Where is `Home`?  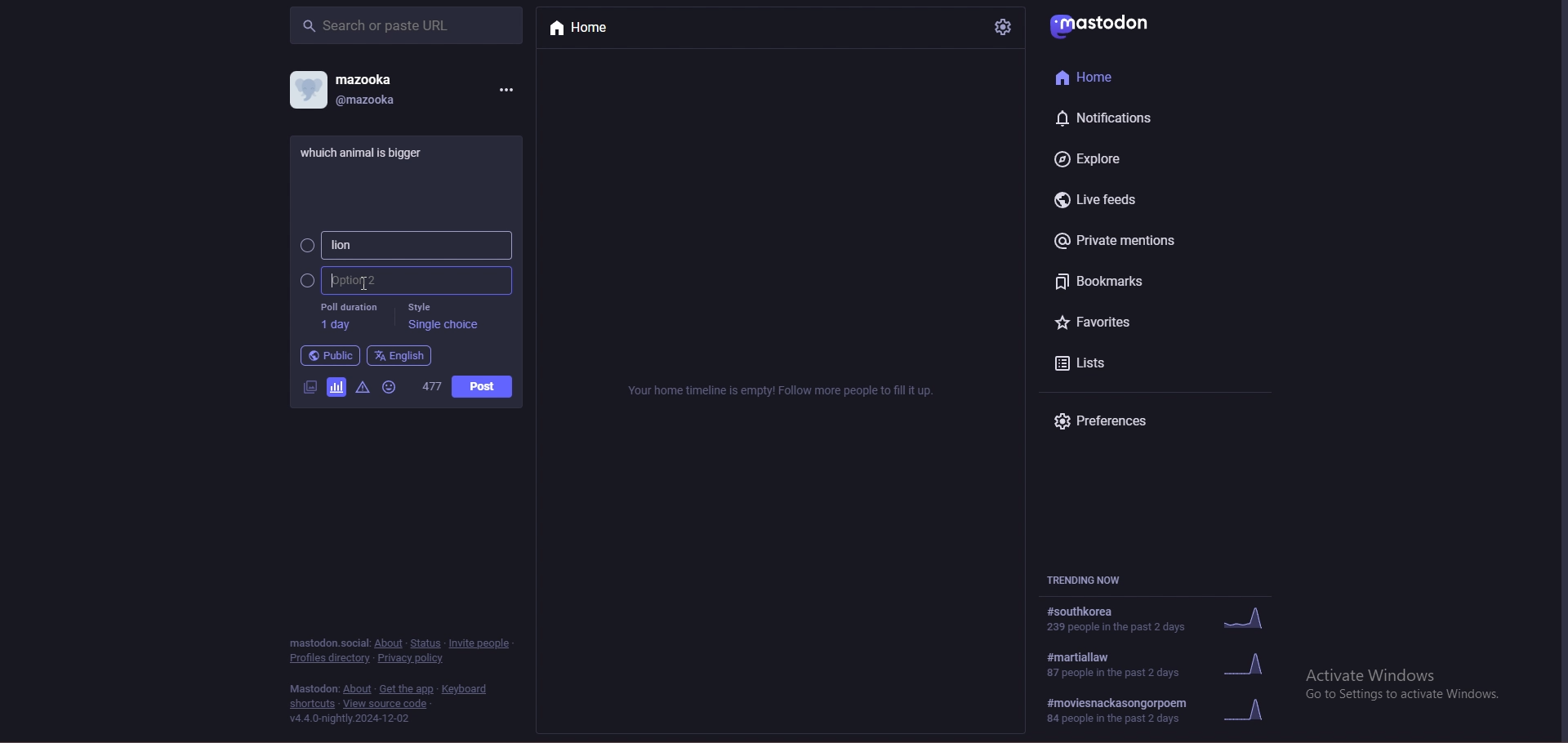 Home is located at coordinates (1090, 76).